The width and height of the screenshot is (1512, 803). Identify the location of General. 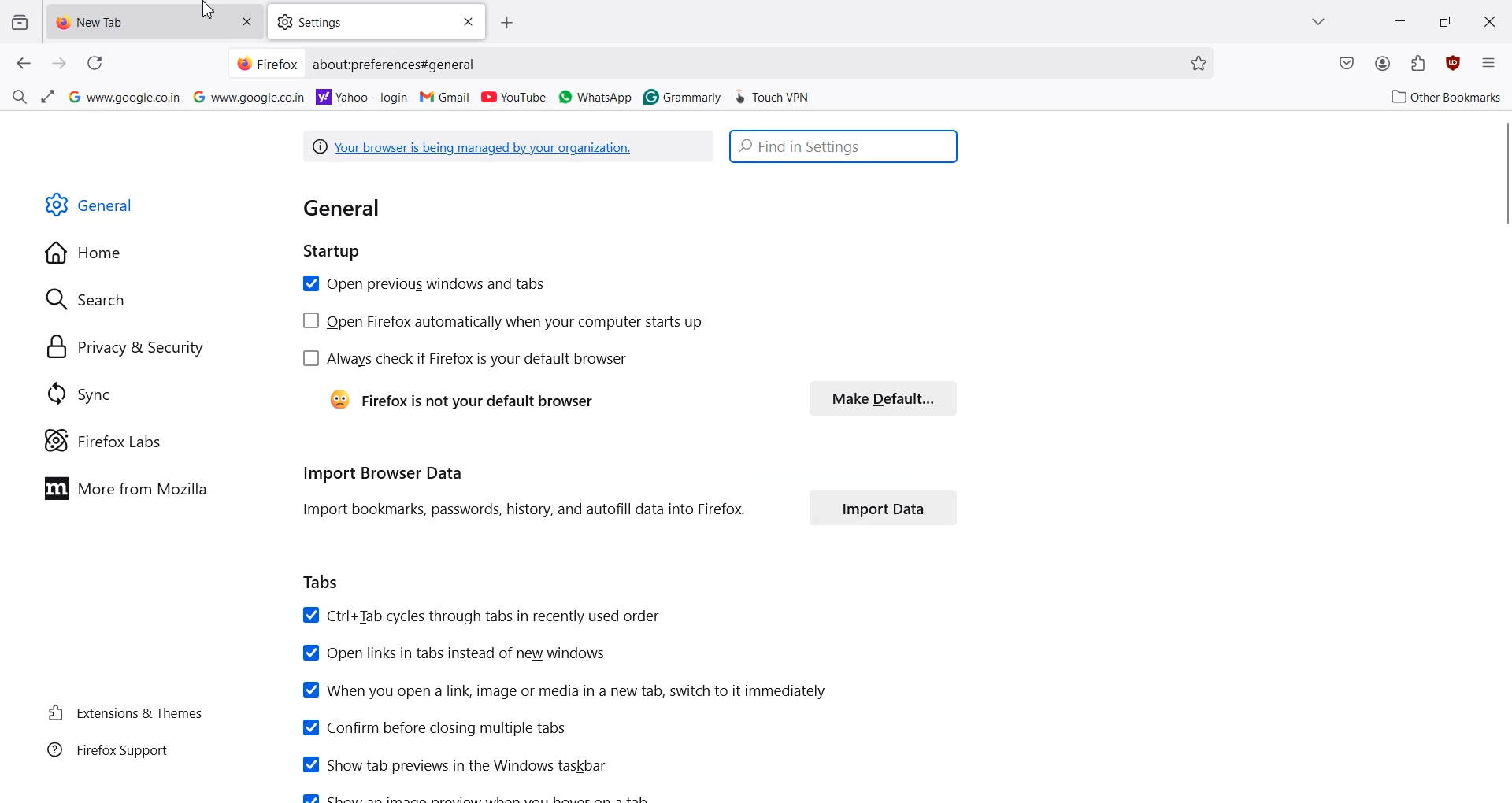
(92, 205).